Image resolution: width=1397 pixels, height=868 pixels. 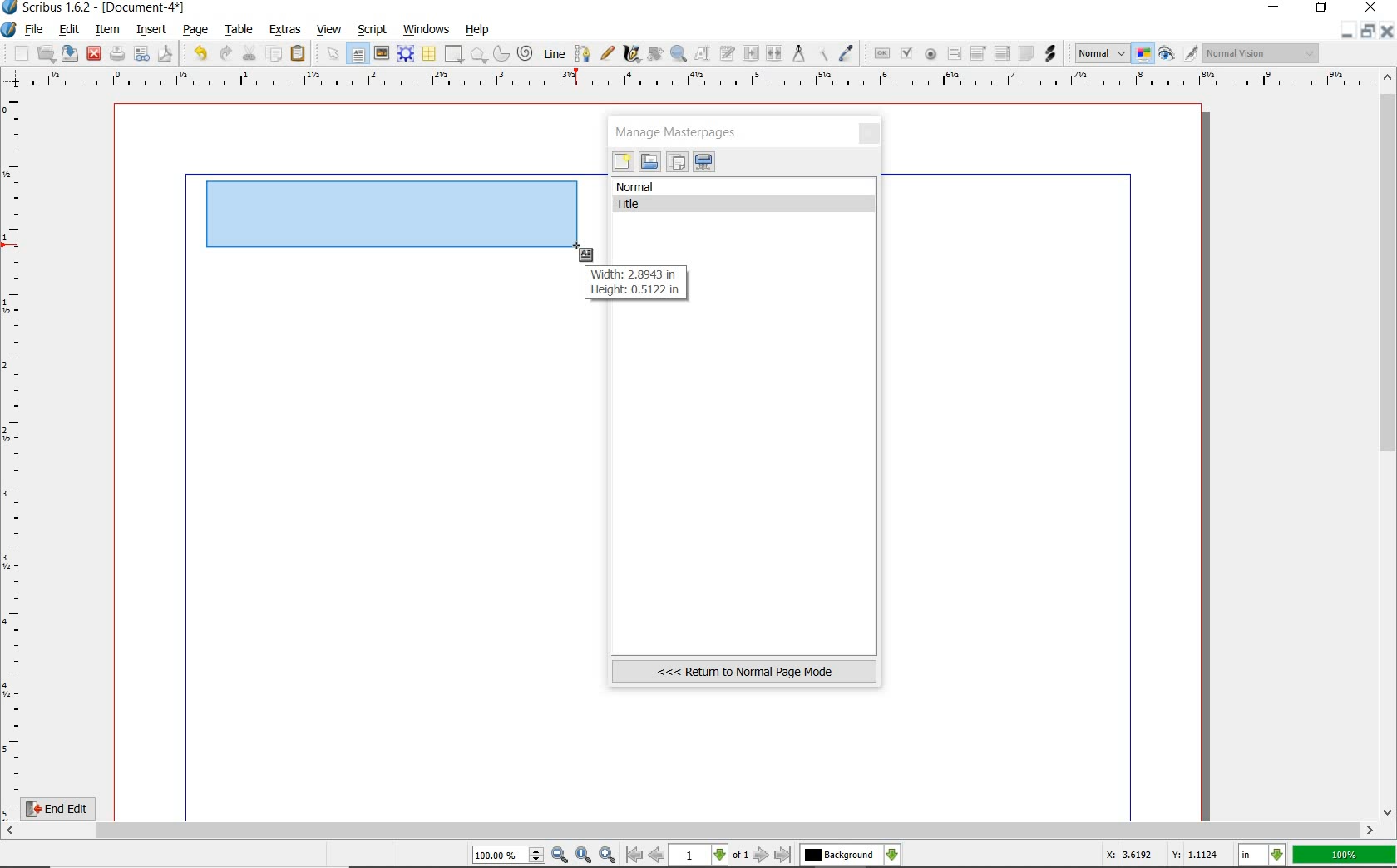 I want to click on close, so click(x=1389, y=31).